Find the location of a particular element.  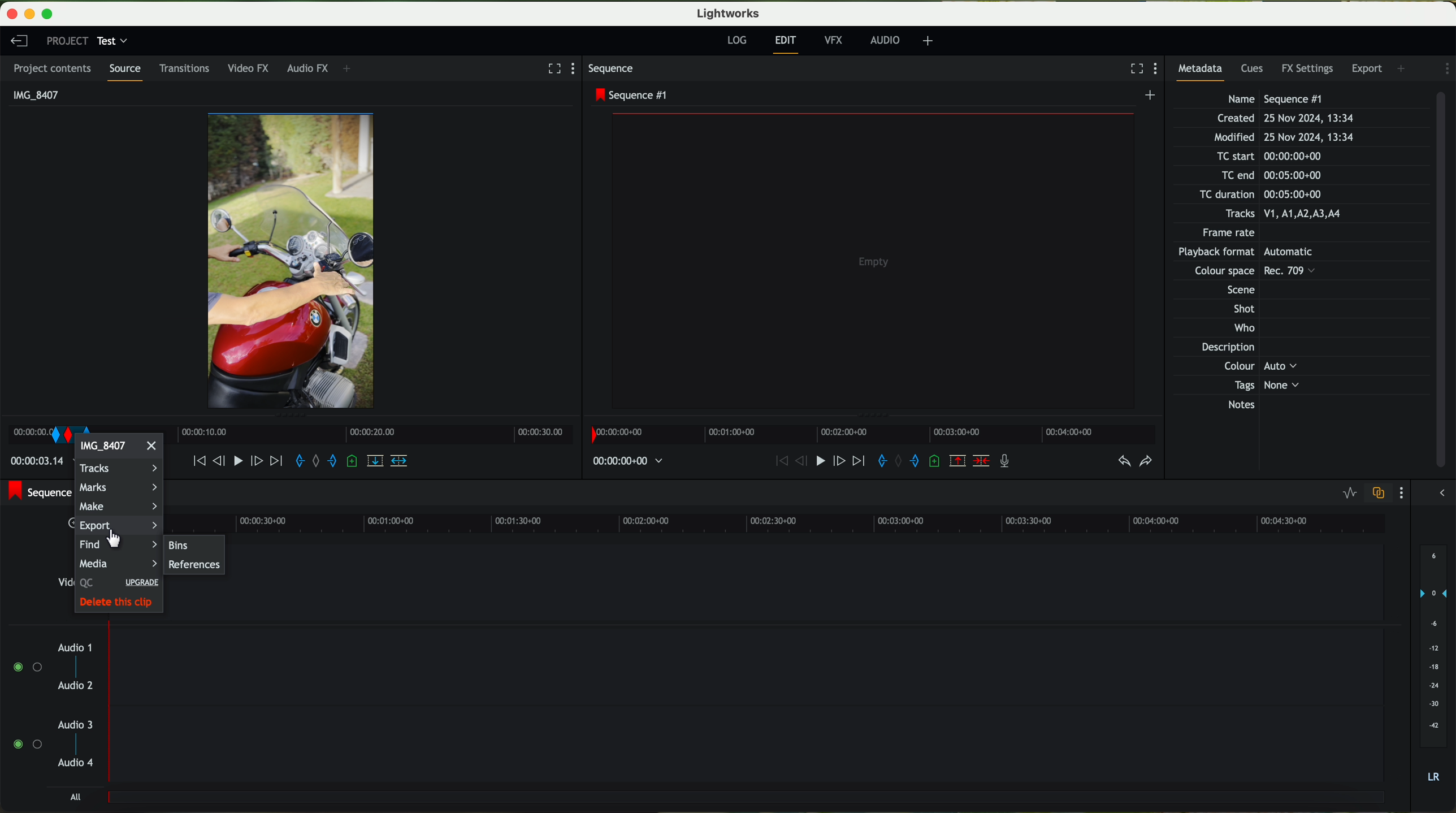

remove the marked section is located at coordinates (959, 462).